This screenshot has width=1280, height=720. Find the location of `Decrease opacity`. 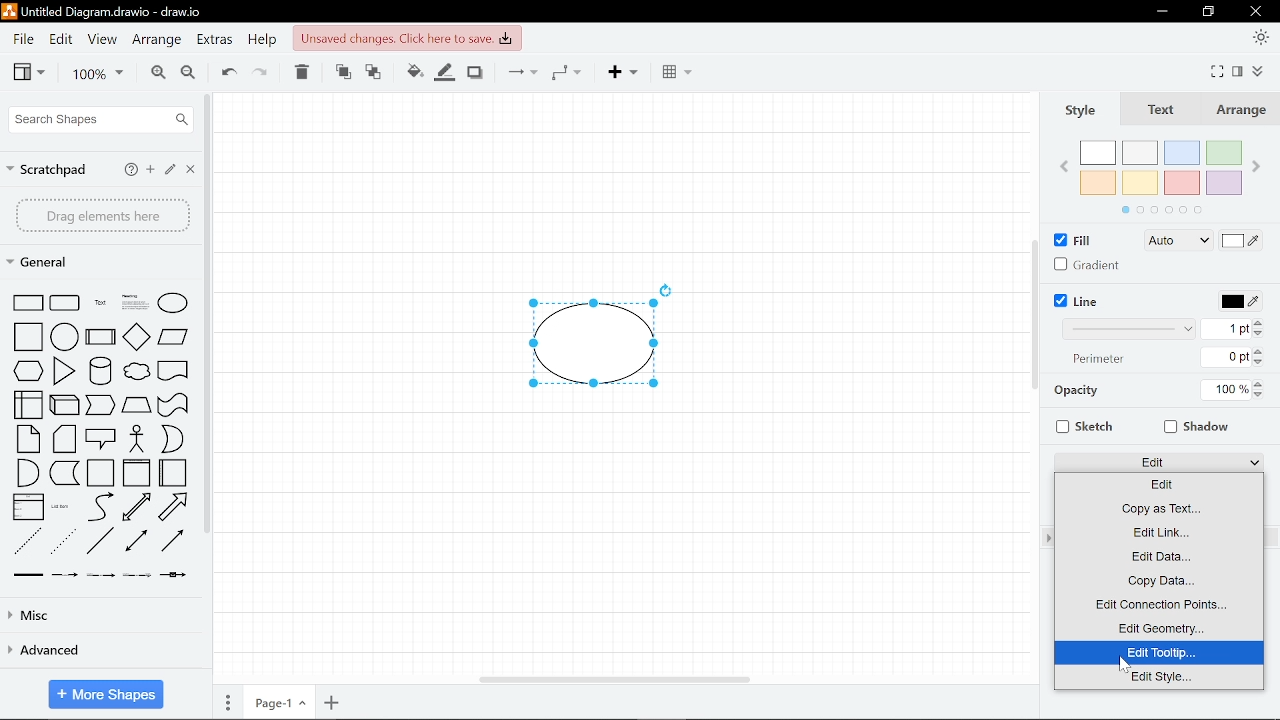

Decrease opacity is located at coordinates (1260, 395).